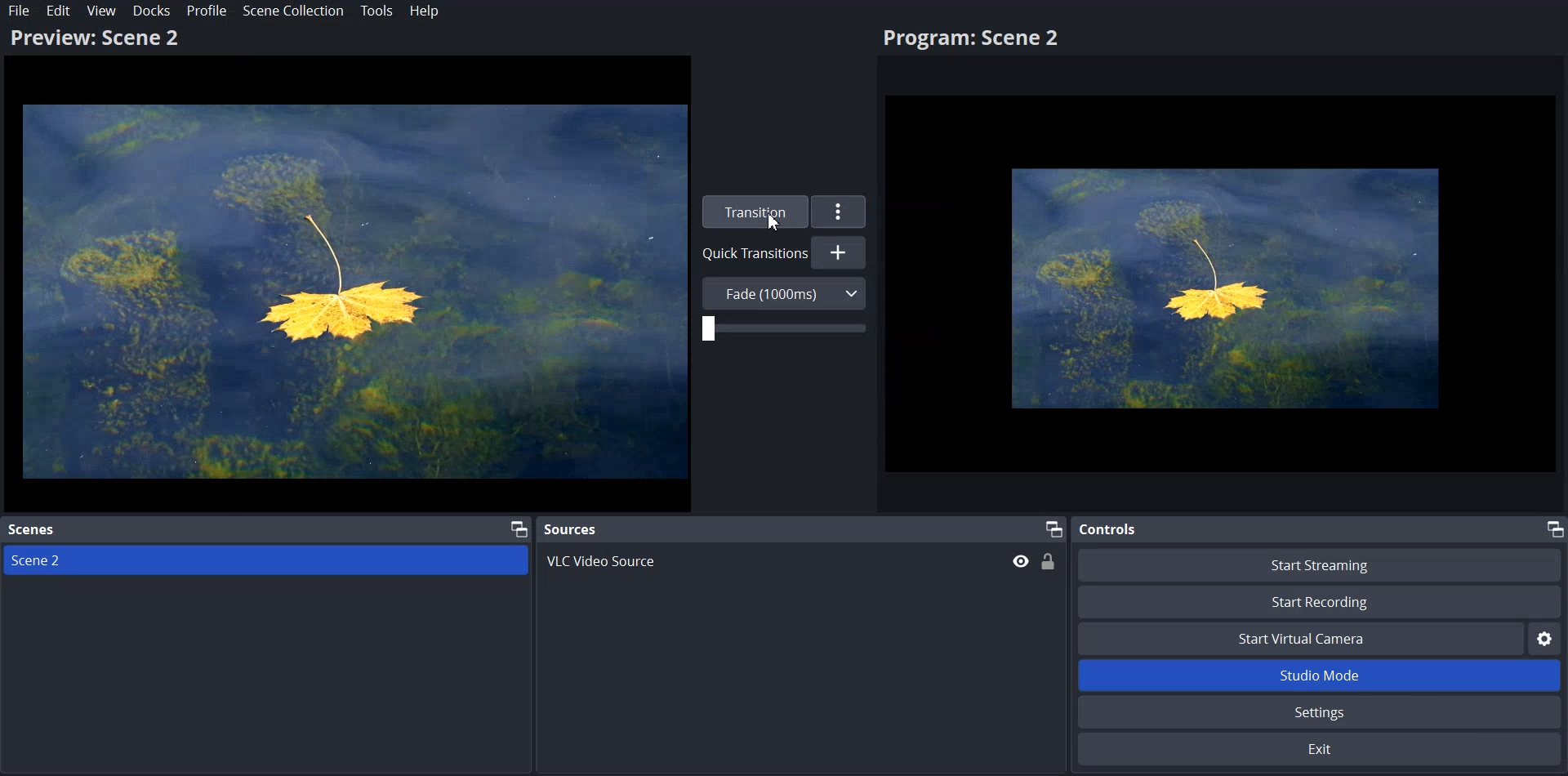  What do you see at coordinates (207, 11) in the screenshot?
I see `Profile` at bounding box center [207, 11].